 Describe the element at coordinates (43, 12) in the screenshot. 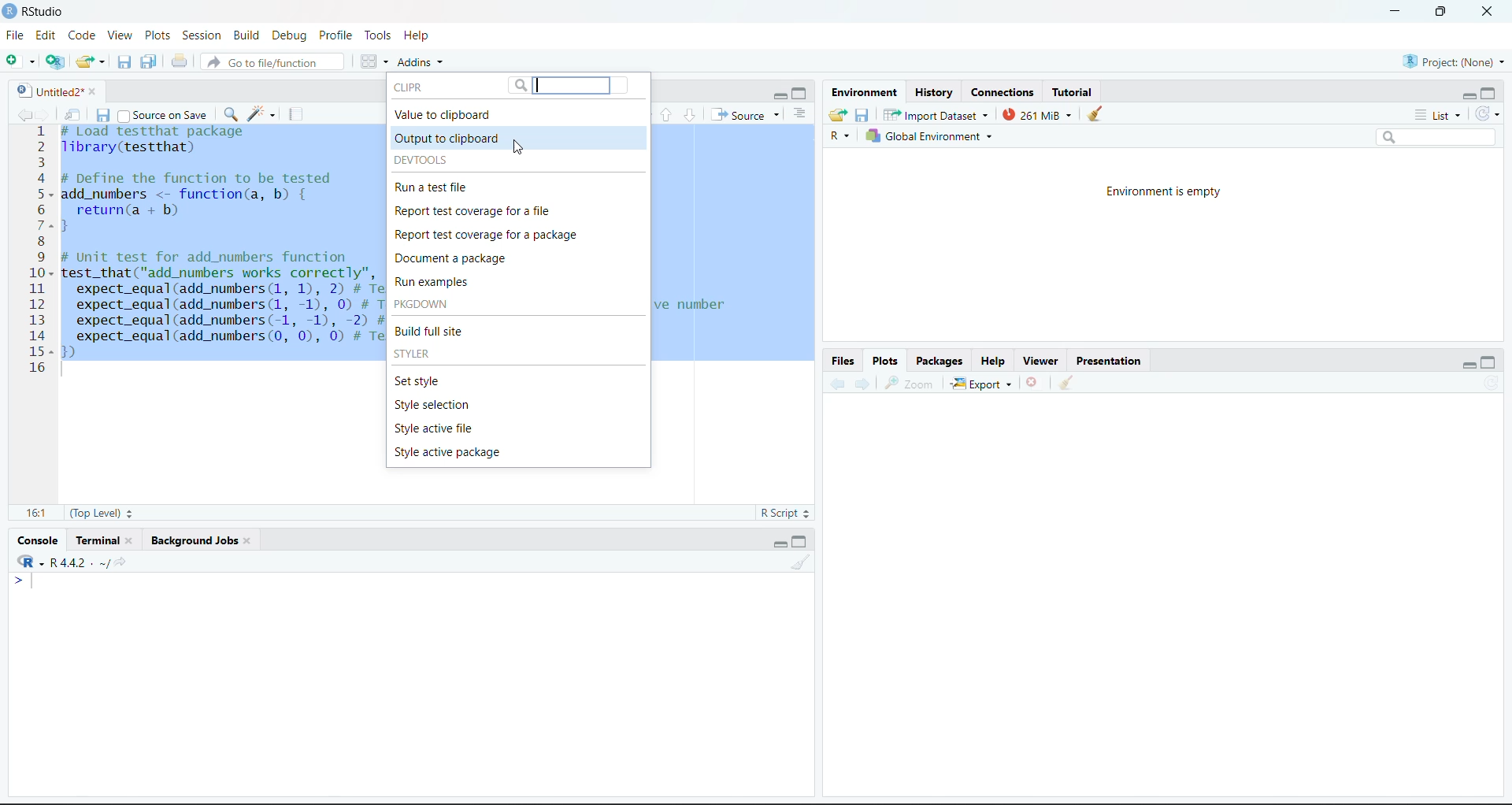

I see `RStudio` at that location.